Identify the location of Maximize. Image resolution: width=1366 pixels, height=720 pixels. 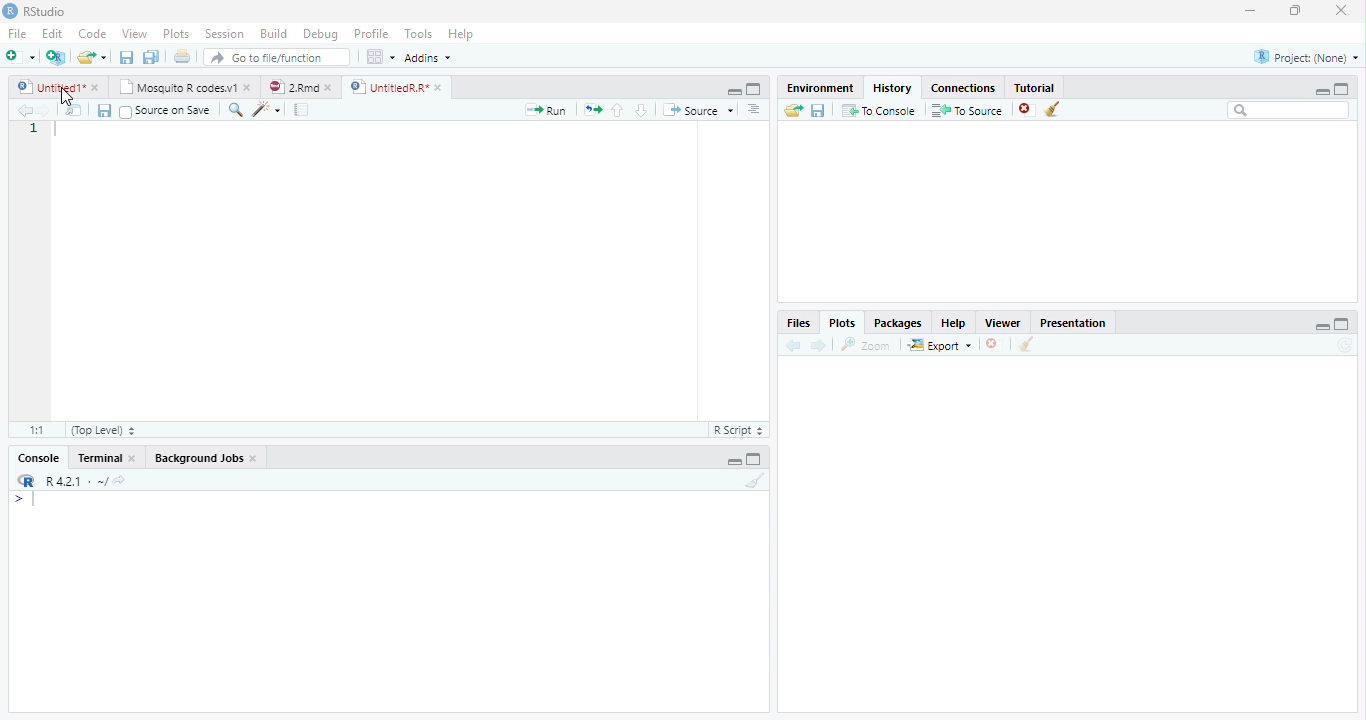
(1341, 325).